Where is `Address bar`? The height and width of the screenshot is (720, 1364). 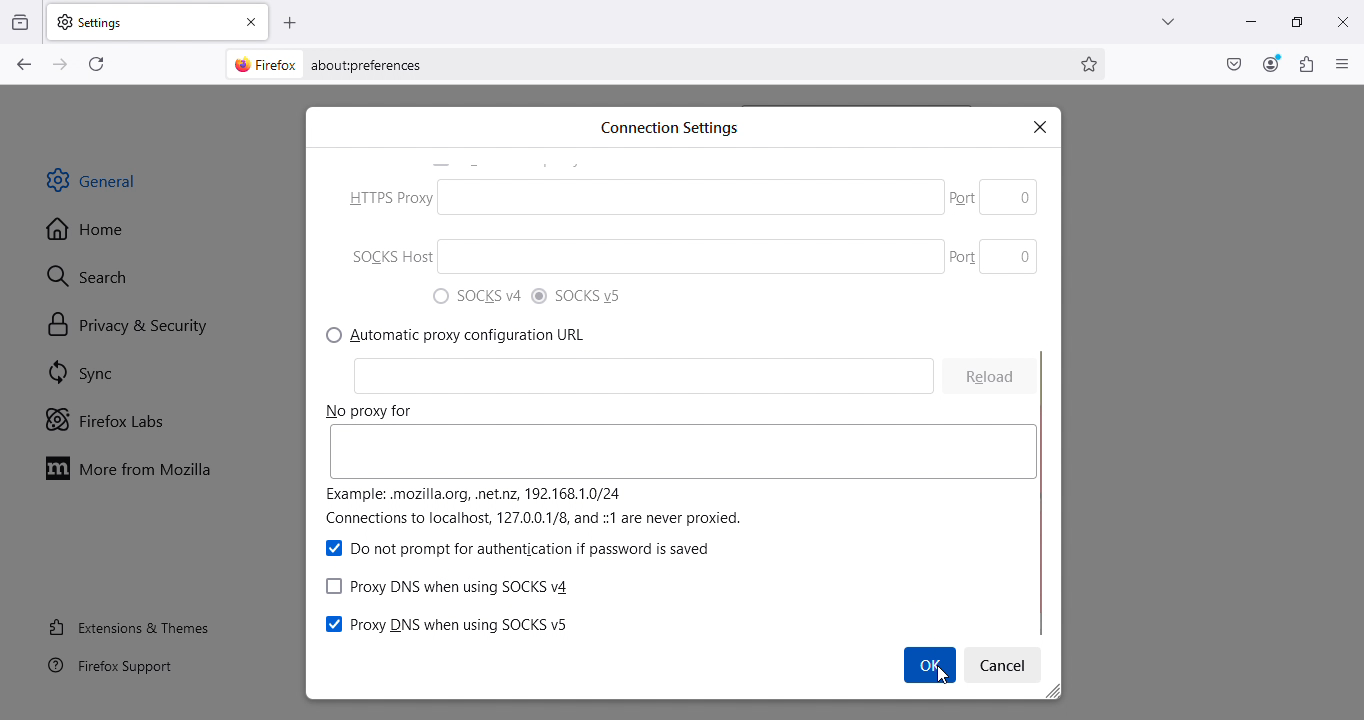
Address bar is located at coordinates (690, 64).